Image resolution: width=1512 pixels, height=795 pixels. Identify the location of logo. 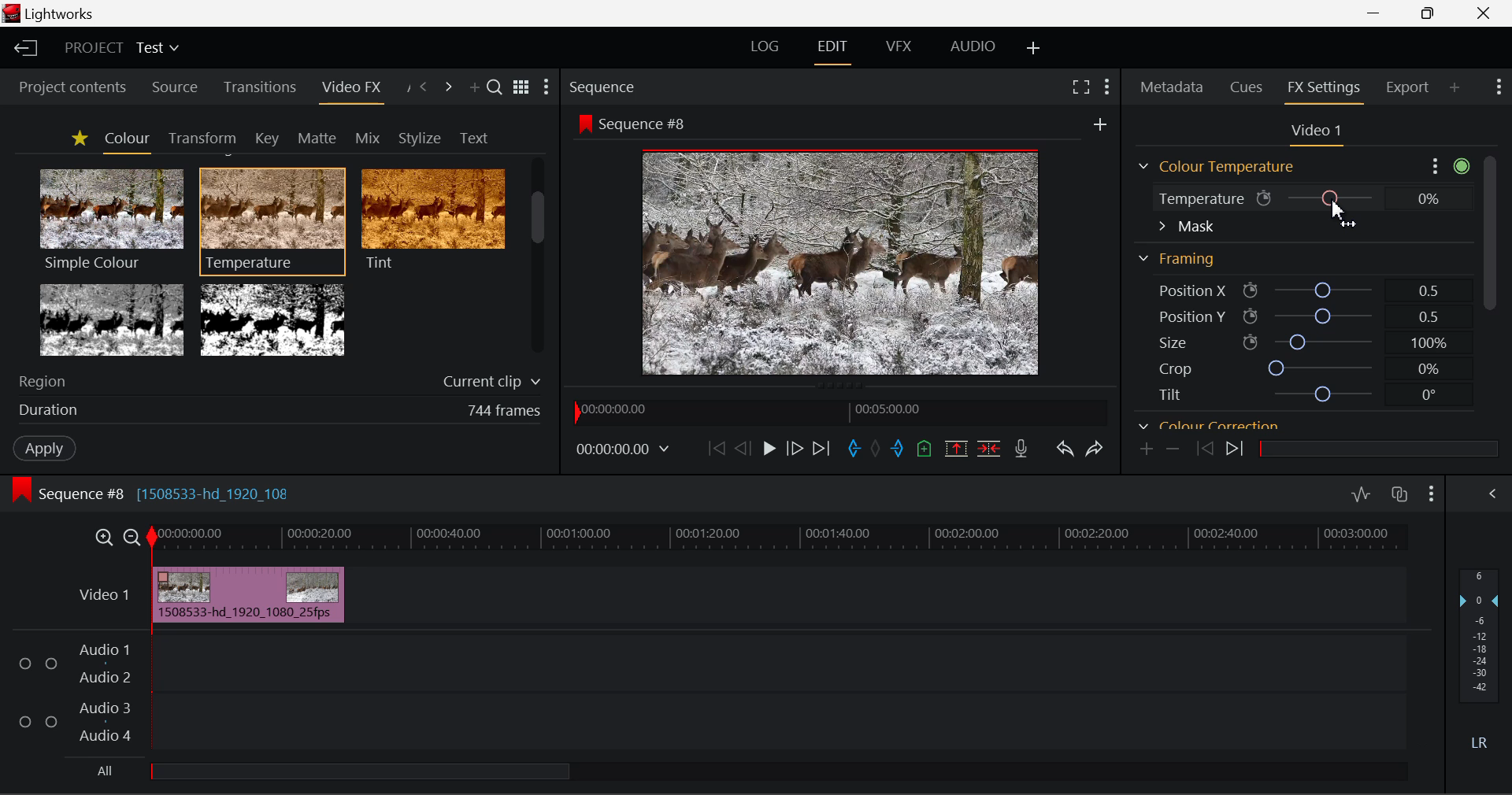
(11, 13).